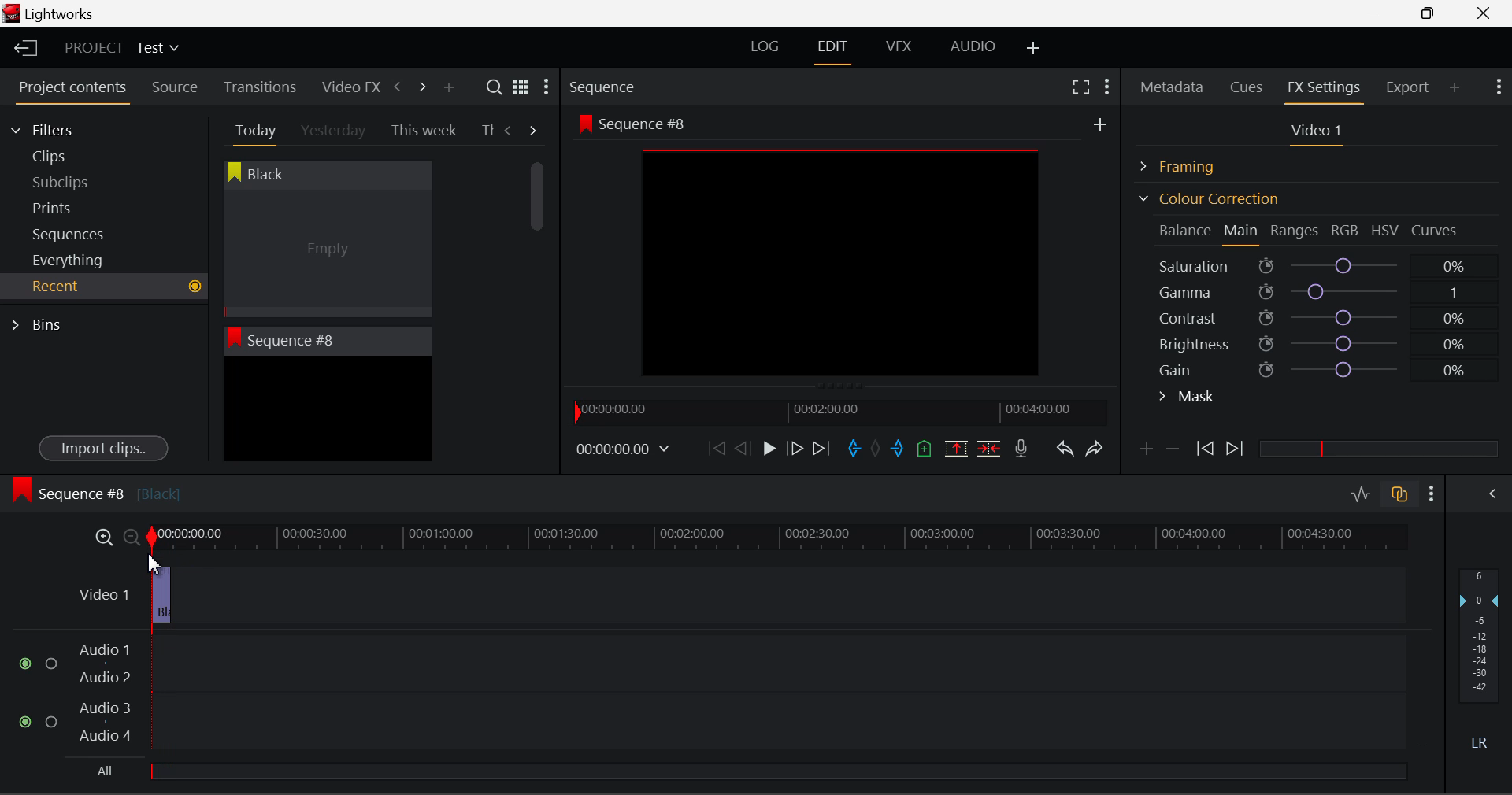 This screenshot has width=1512, height=795. What do you see at coordinates (1187, 230) in the screenshot?
I see `Balance Section` at bounding box center [1187, 230].